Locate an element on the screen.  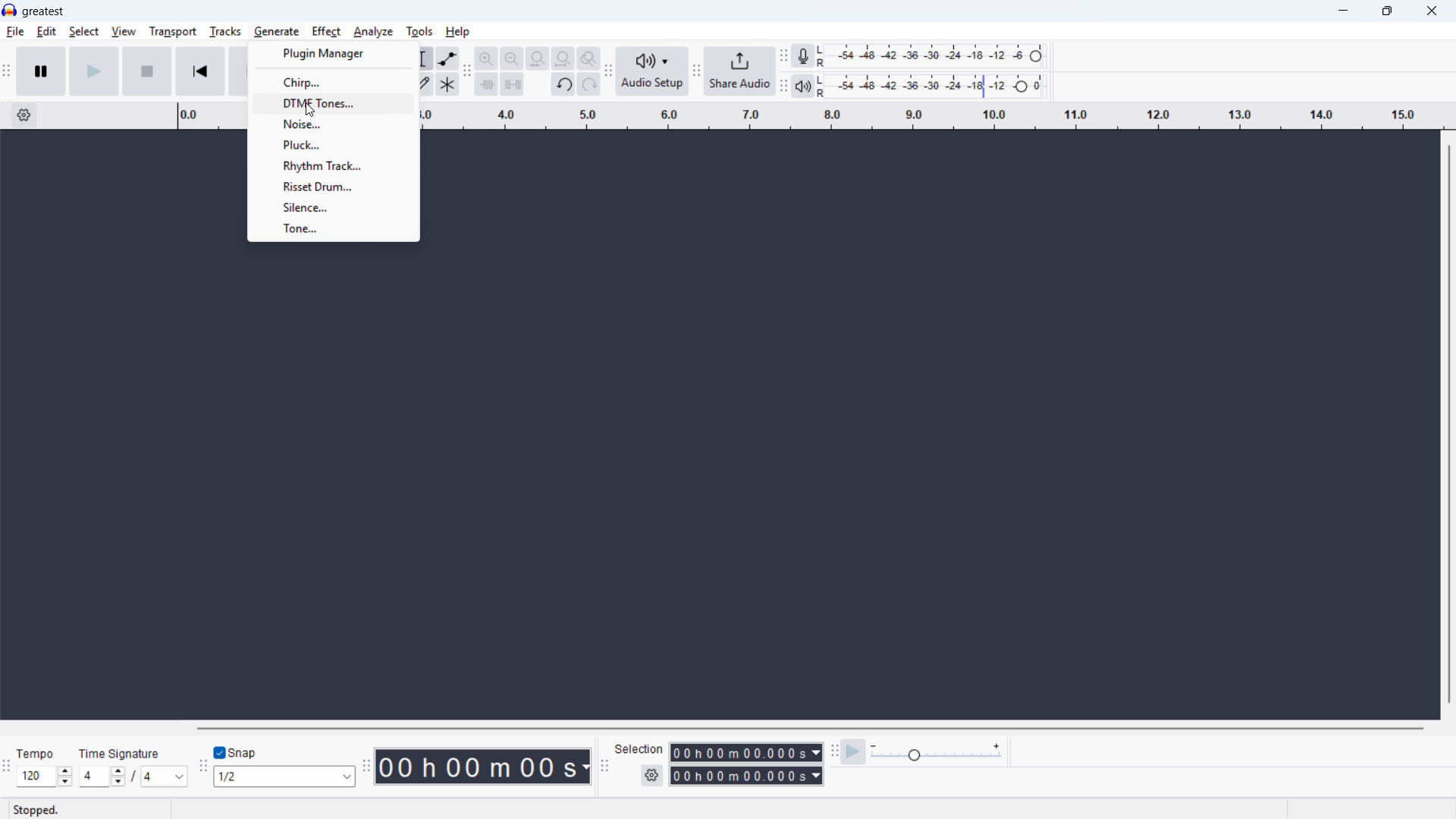
recording level is located at coordinates (936, 56).